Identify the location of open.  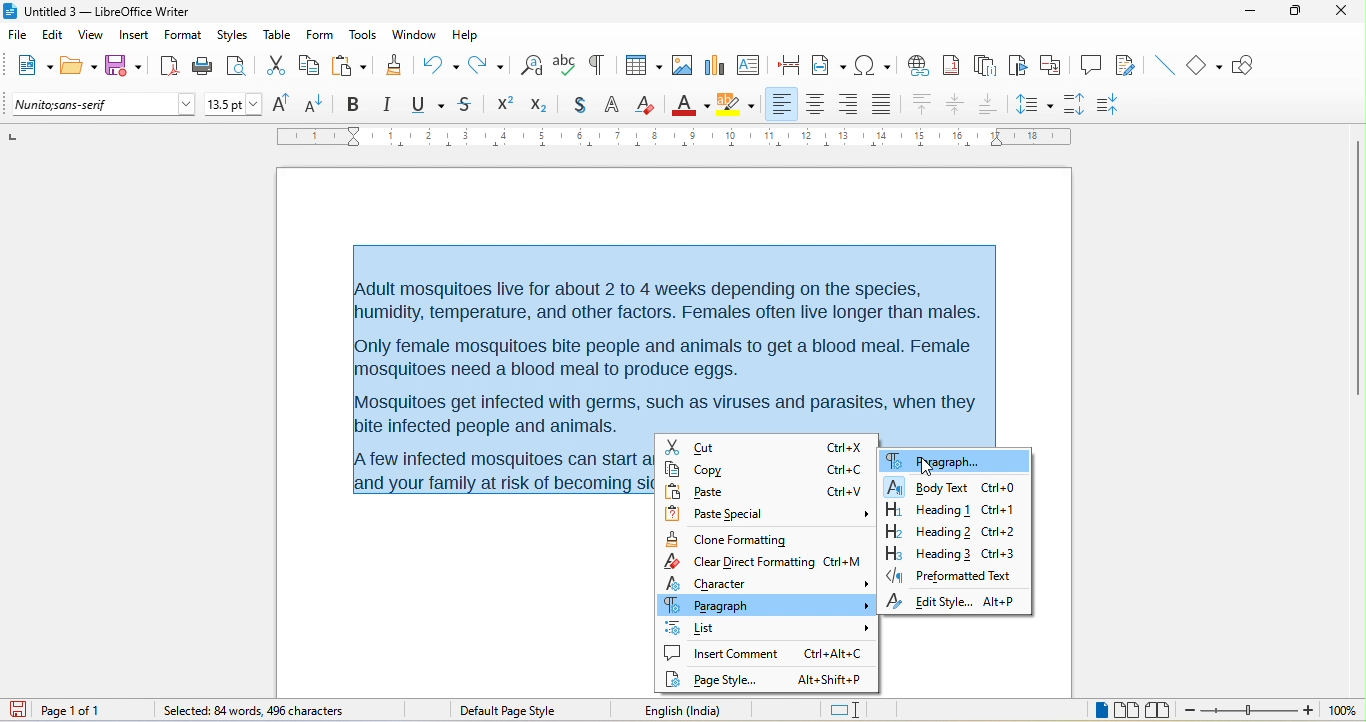
(79, 67).